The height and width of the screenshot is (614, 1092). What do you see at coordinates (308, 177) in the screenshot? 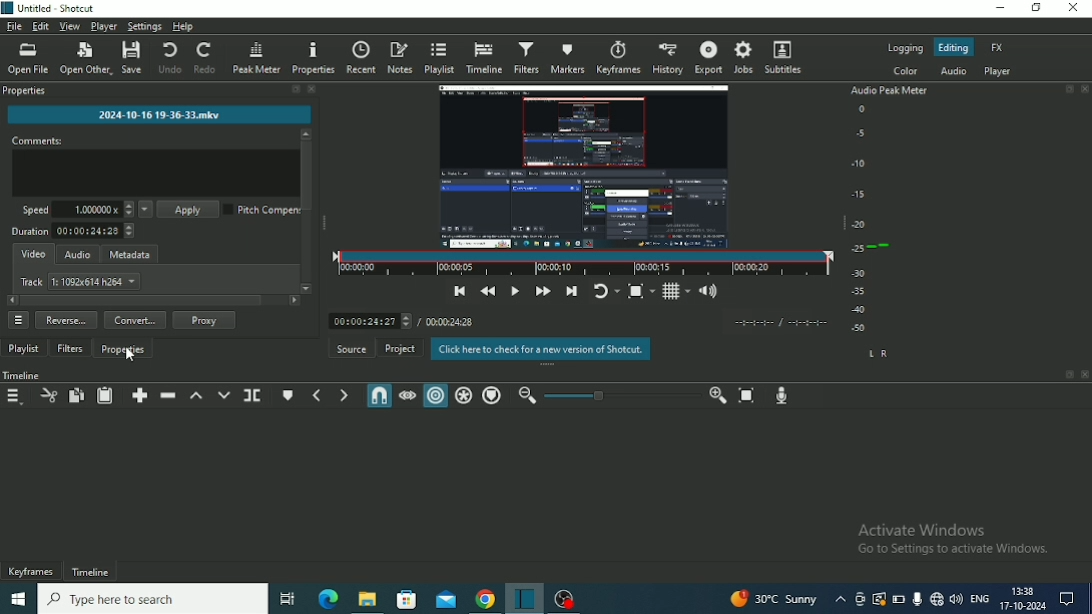
I see `Vertical scrollbar` at bounding box center [308, 177].